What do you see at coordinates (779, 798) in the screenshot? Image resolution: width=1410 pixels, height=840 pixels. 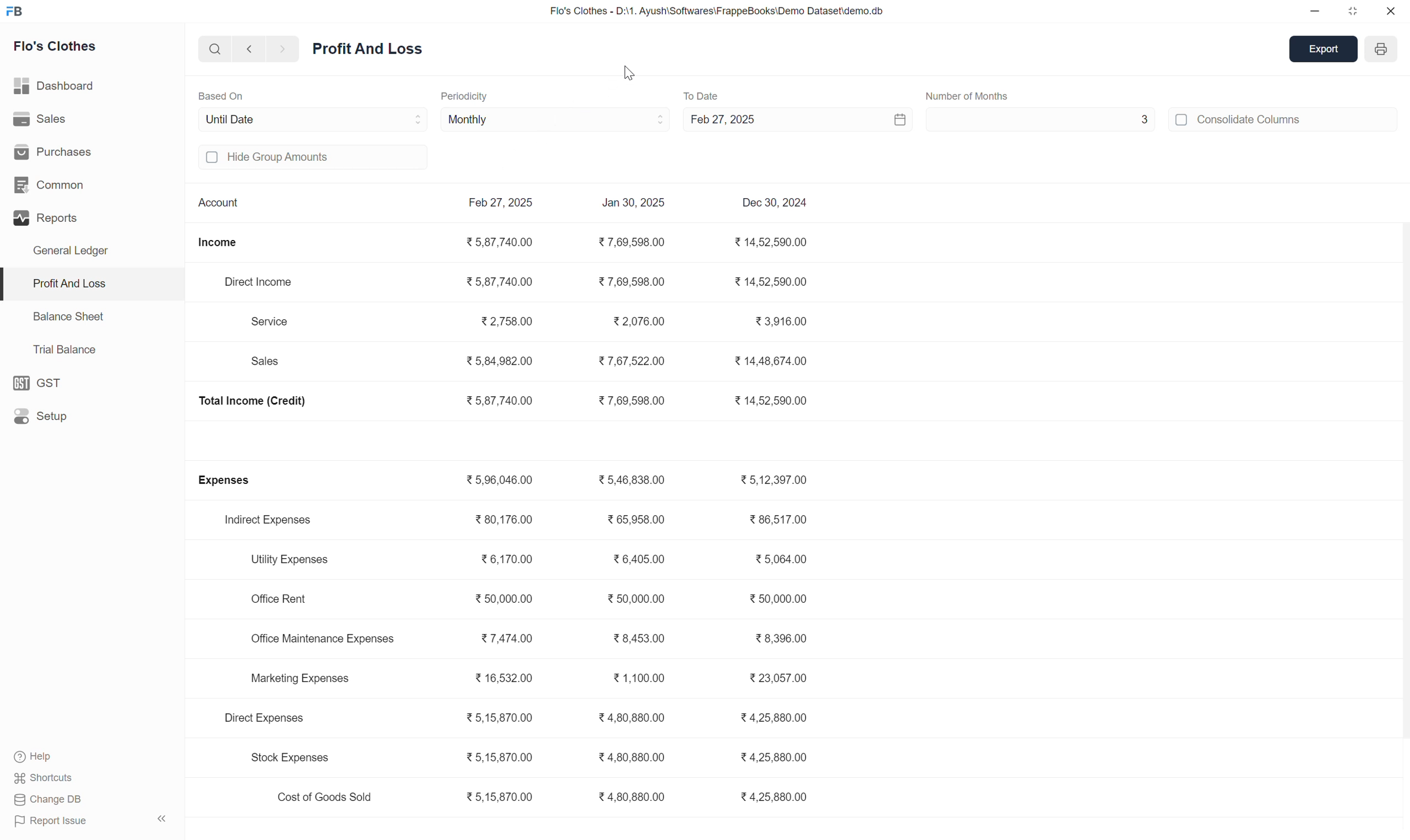 I see `₹4,25,880.00` at bounding box center [779, 798].